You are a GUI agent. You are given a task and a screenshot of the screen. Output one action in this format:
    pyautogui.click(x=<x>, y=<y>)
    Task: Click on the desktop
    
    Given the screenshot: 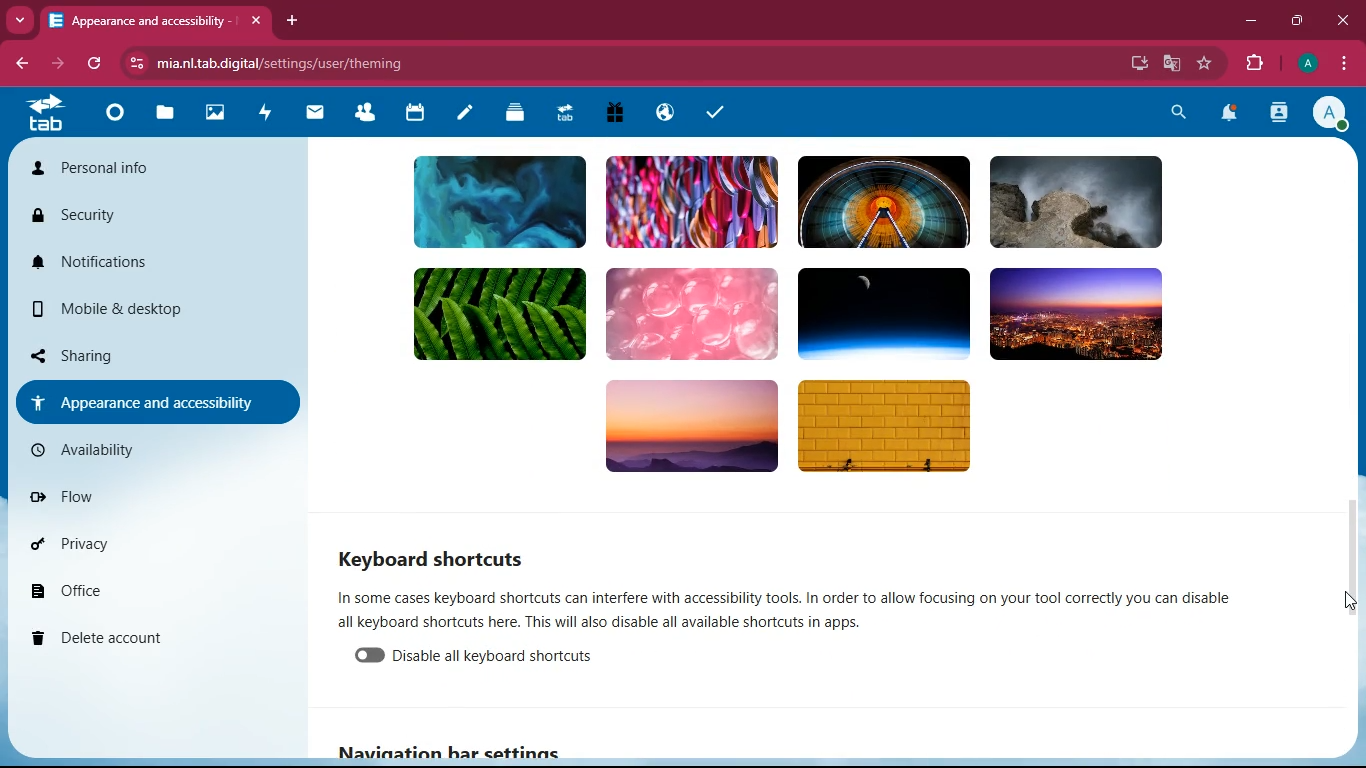 What is the action you would take?
    pyautogui.click(x=1135, y=63)
    